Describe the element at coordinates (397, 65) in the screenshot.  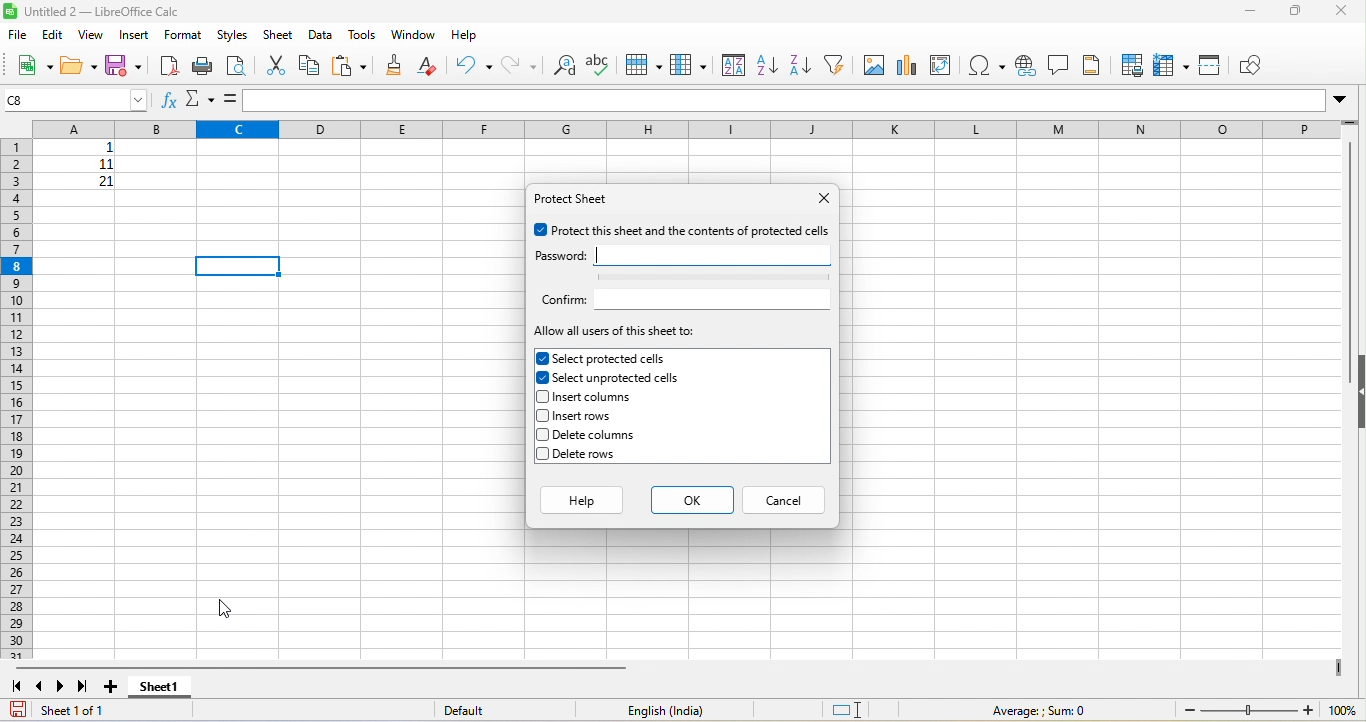
I see `clone` at that location.